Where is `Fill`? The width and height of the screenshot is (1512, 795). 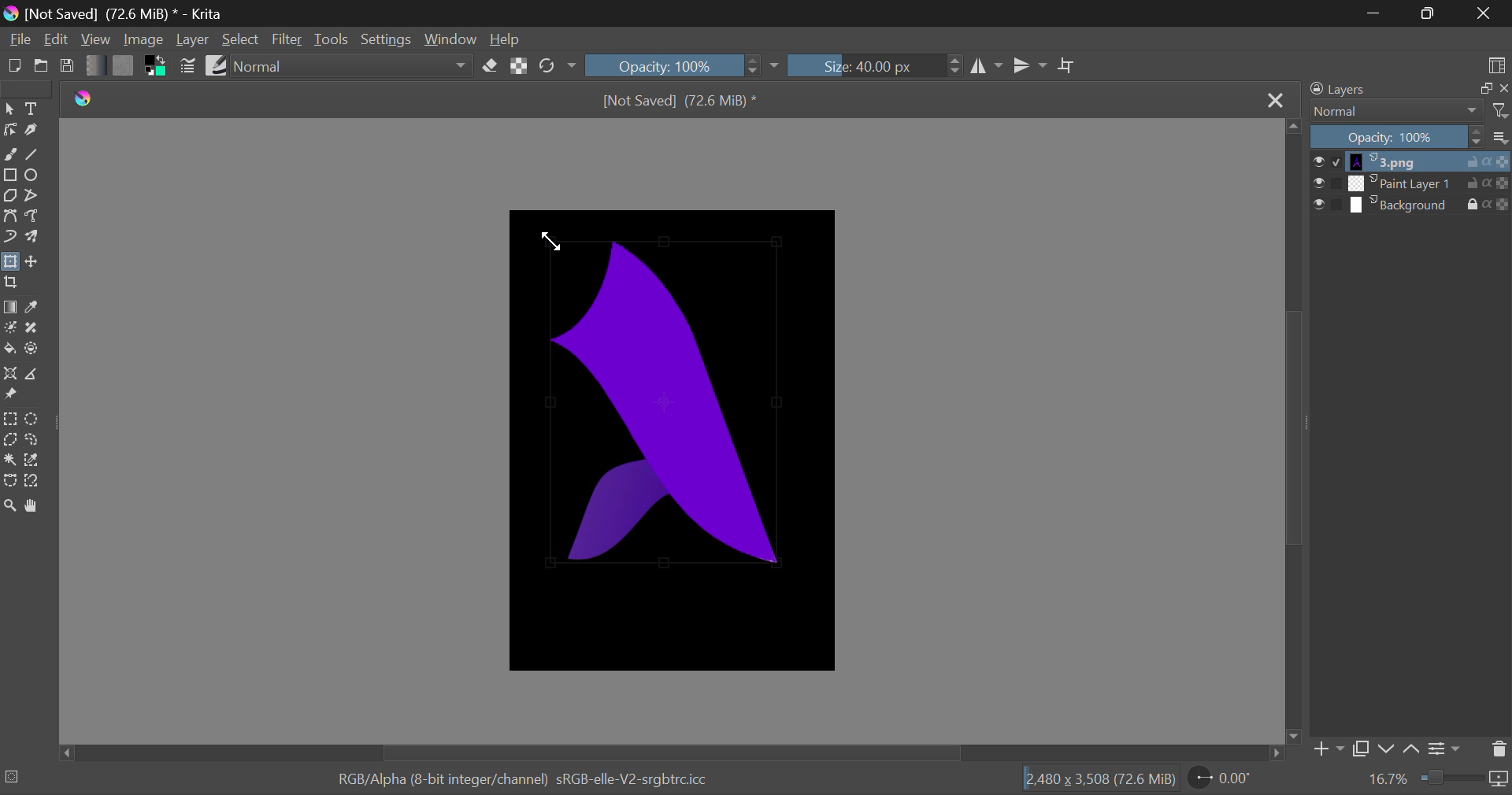
Fill is located at coordinates (10, 352).